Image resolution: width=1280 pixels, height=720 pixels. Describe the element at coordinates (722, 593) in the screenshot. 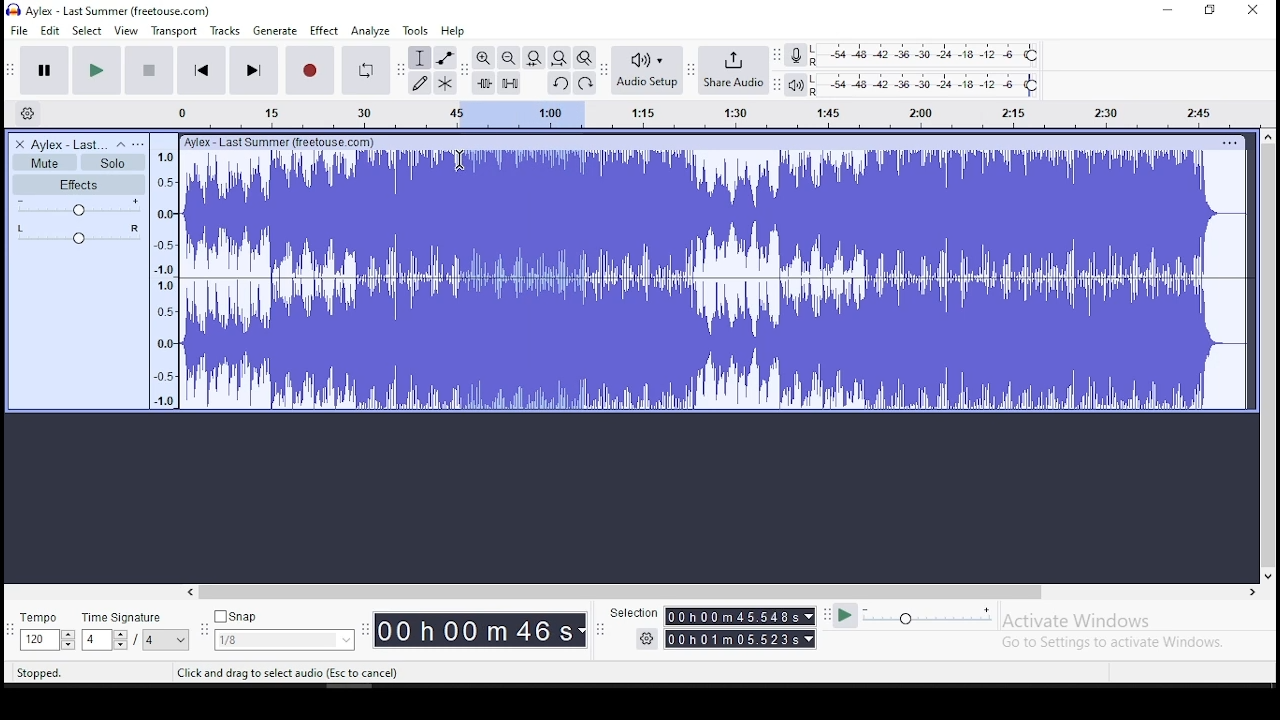

I see `scroll bar` at that location.